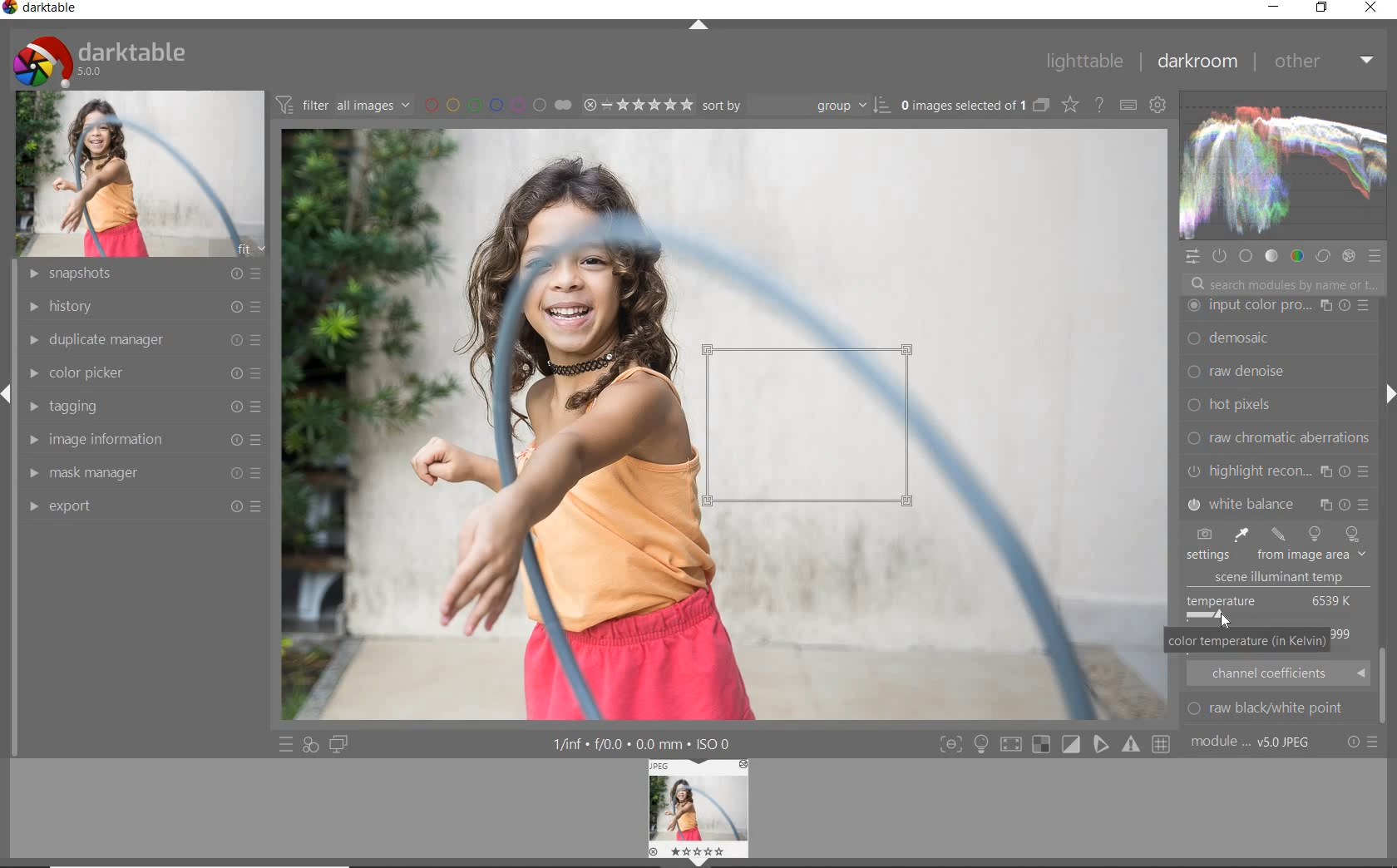 Image resolution: width=1397 pixels, height=868 pixels. I want to click on TEMPERATURE, so click(1272, 607).